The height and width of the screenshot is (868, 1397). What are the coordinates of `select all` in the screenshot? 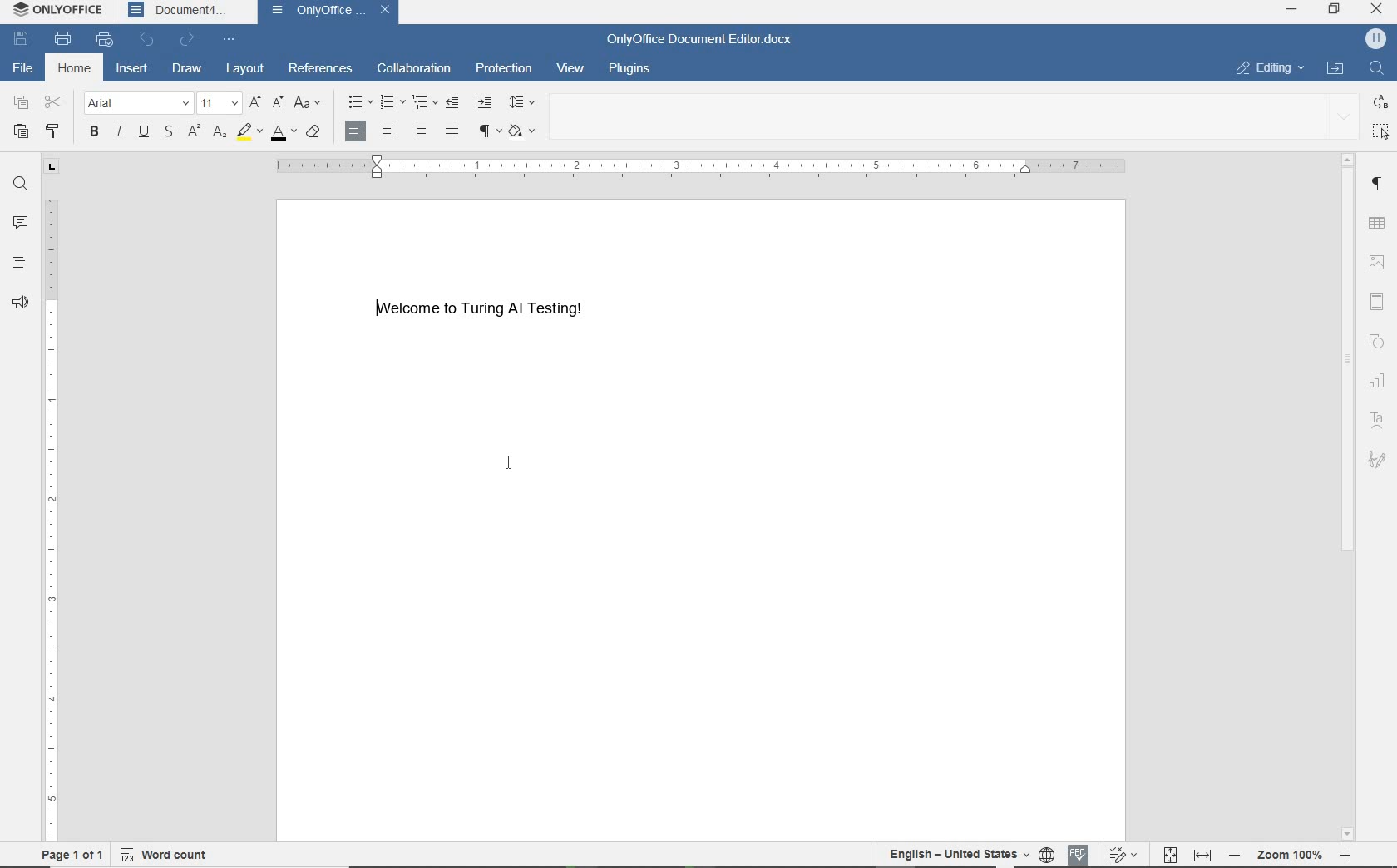 It's located at (1382, 136).